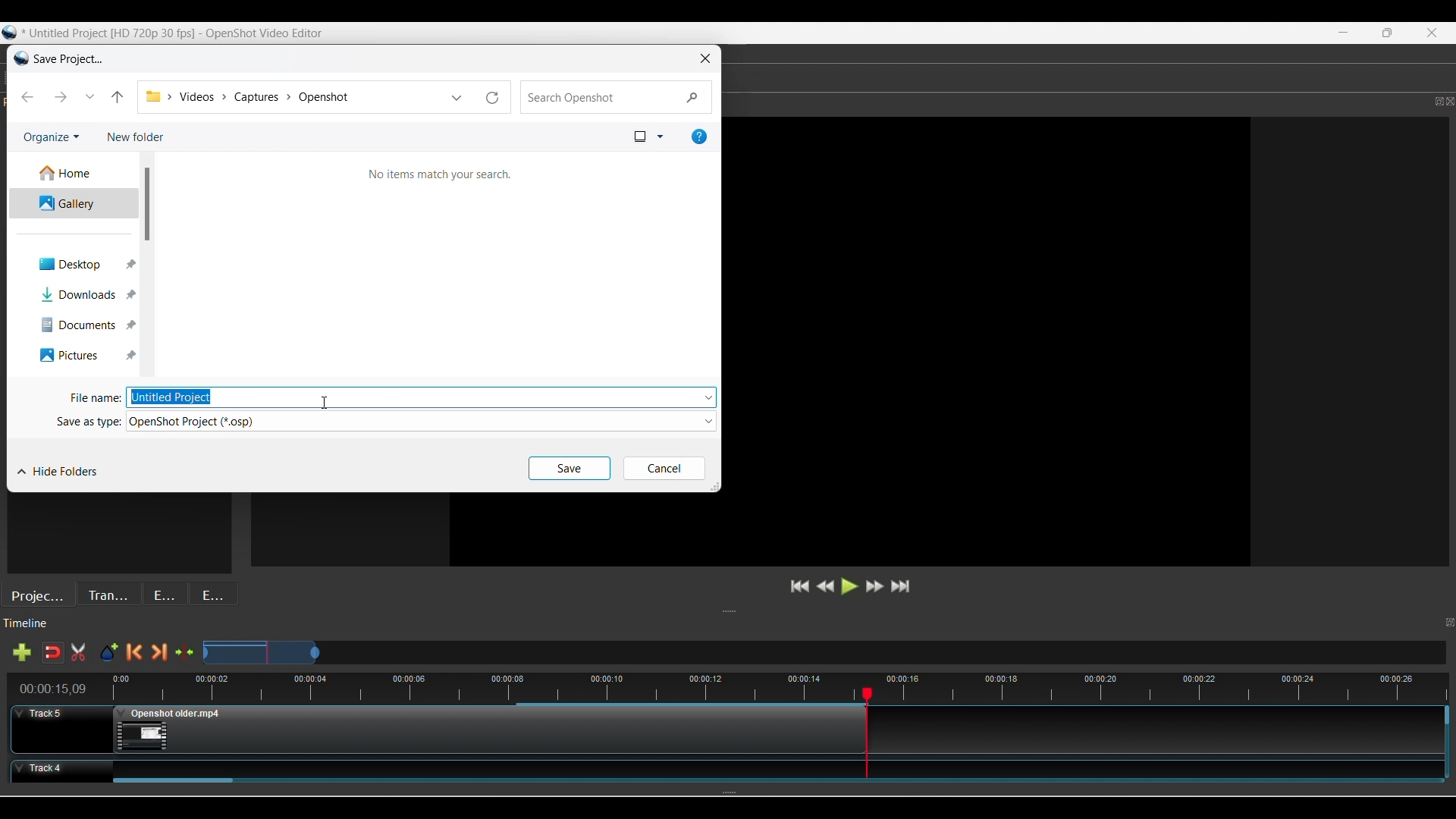  What do you see at coordinates (51, 137) in the screenshot?
I see `Organize current folder` at bounding box center [51, 137].